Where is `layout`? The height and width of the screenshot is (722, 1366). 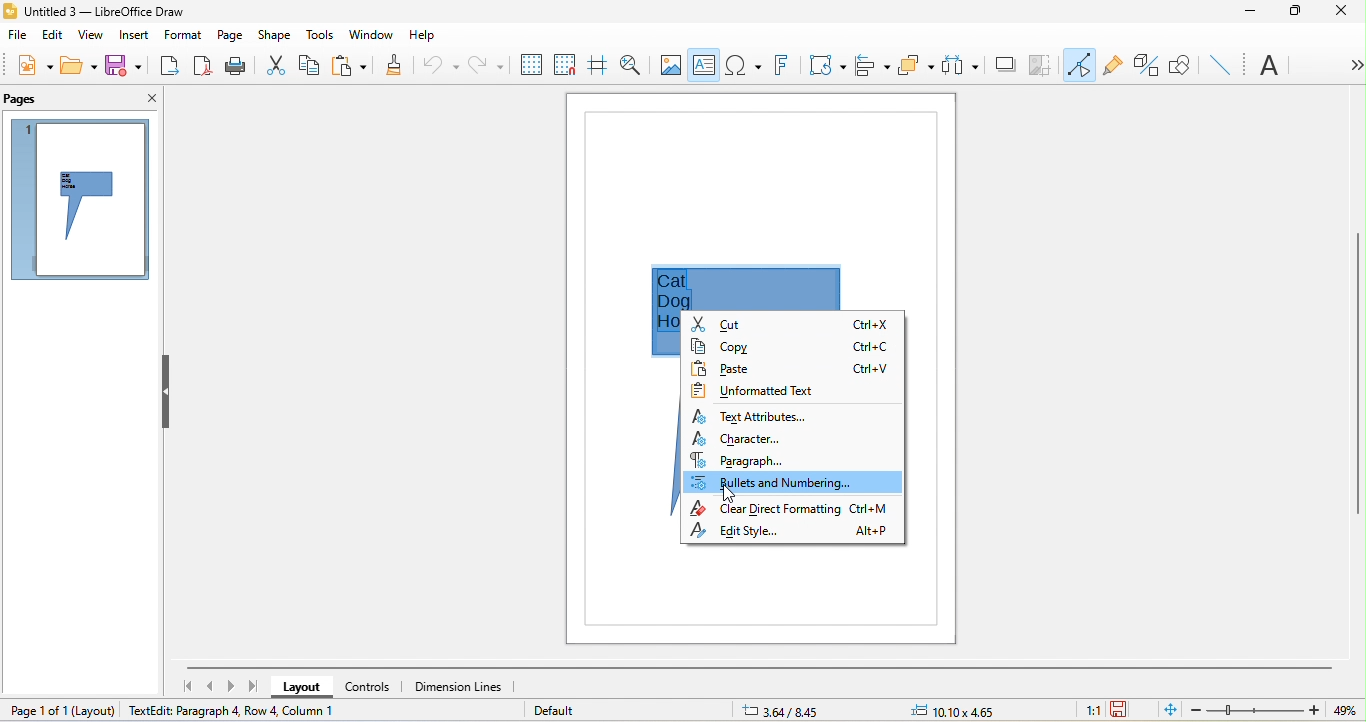
layout is located at coordinates (296, 688).